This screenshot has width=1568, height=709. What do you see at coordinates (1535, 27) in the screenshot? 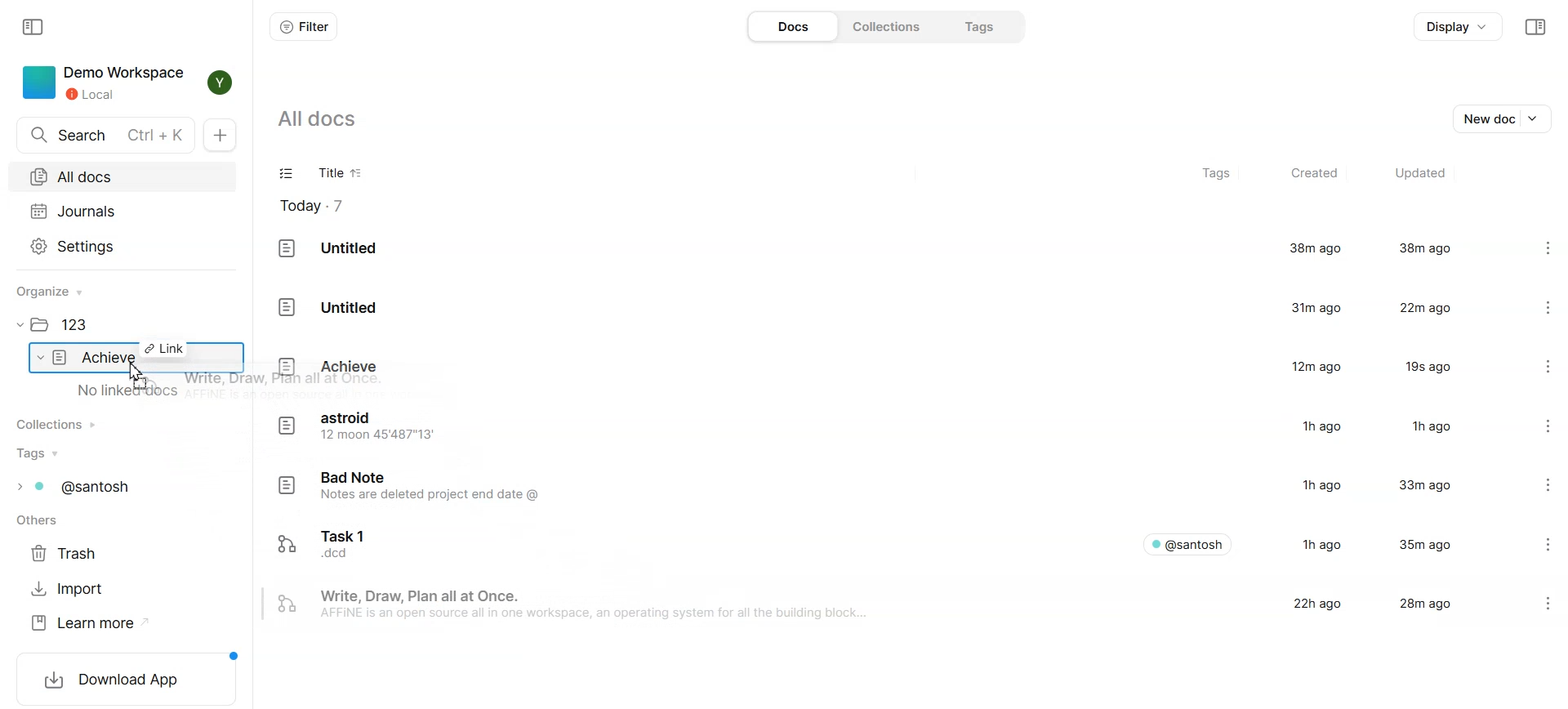
I see `Collapse sidebar` at bounding box center [1535, 27].